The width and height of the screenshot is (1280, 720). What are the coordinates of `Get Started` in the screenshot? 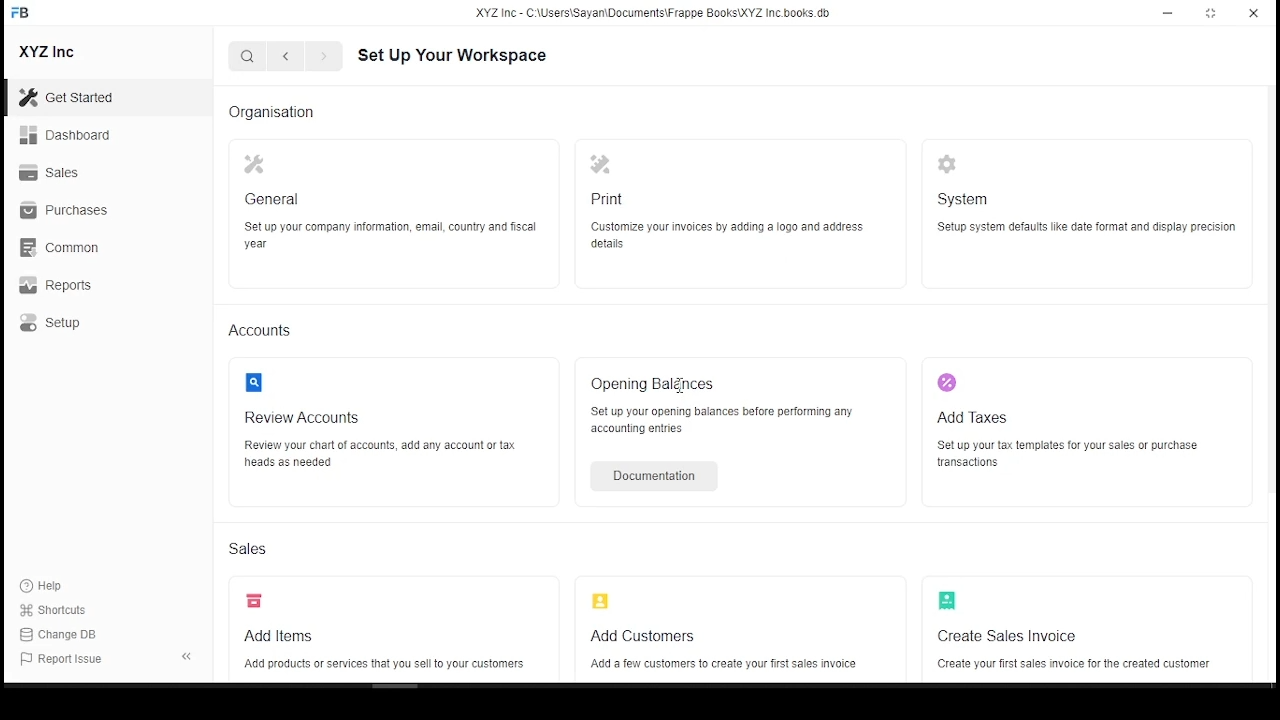 It's located at (73, 97).